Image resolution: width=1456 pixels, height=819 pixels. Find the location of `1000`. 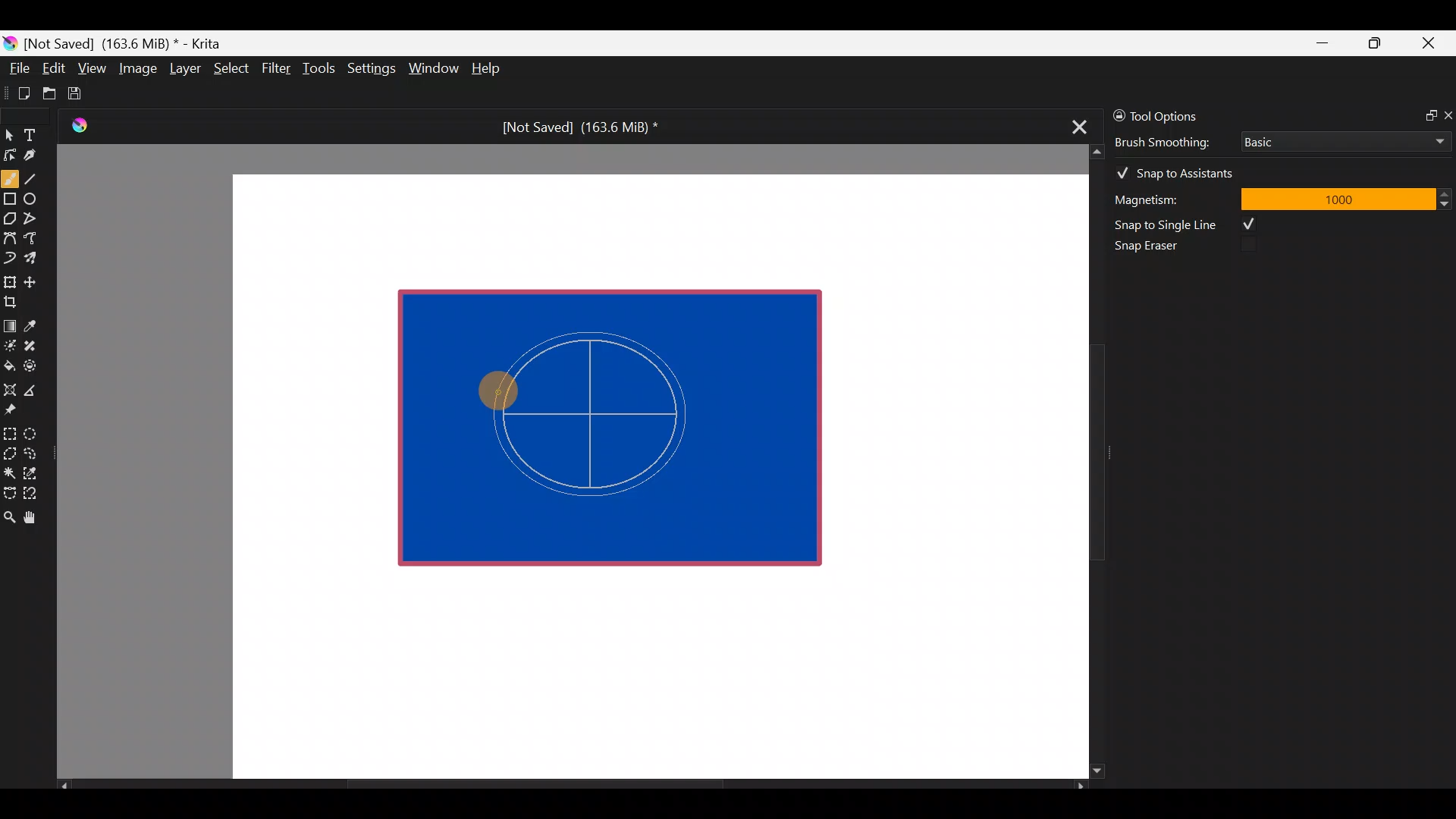

1000 is located at coordinates (1337, 198).